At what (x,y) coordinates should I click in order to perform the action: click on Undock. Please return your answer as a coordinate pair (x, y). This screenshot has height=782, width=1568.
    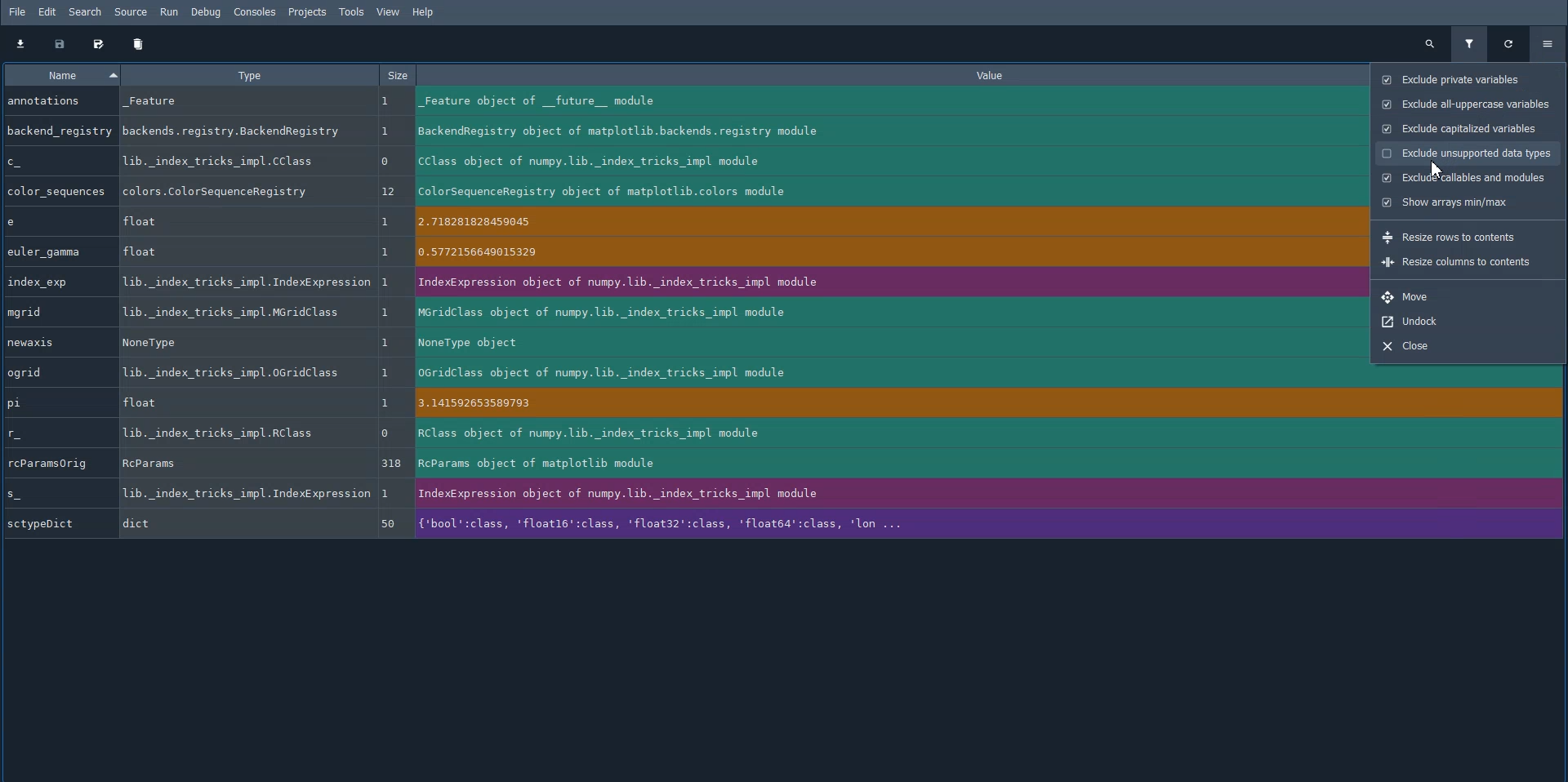
    Looking at the image, I should click on (1460, 322).